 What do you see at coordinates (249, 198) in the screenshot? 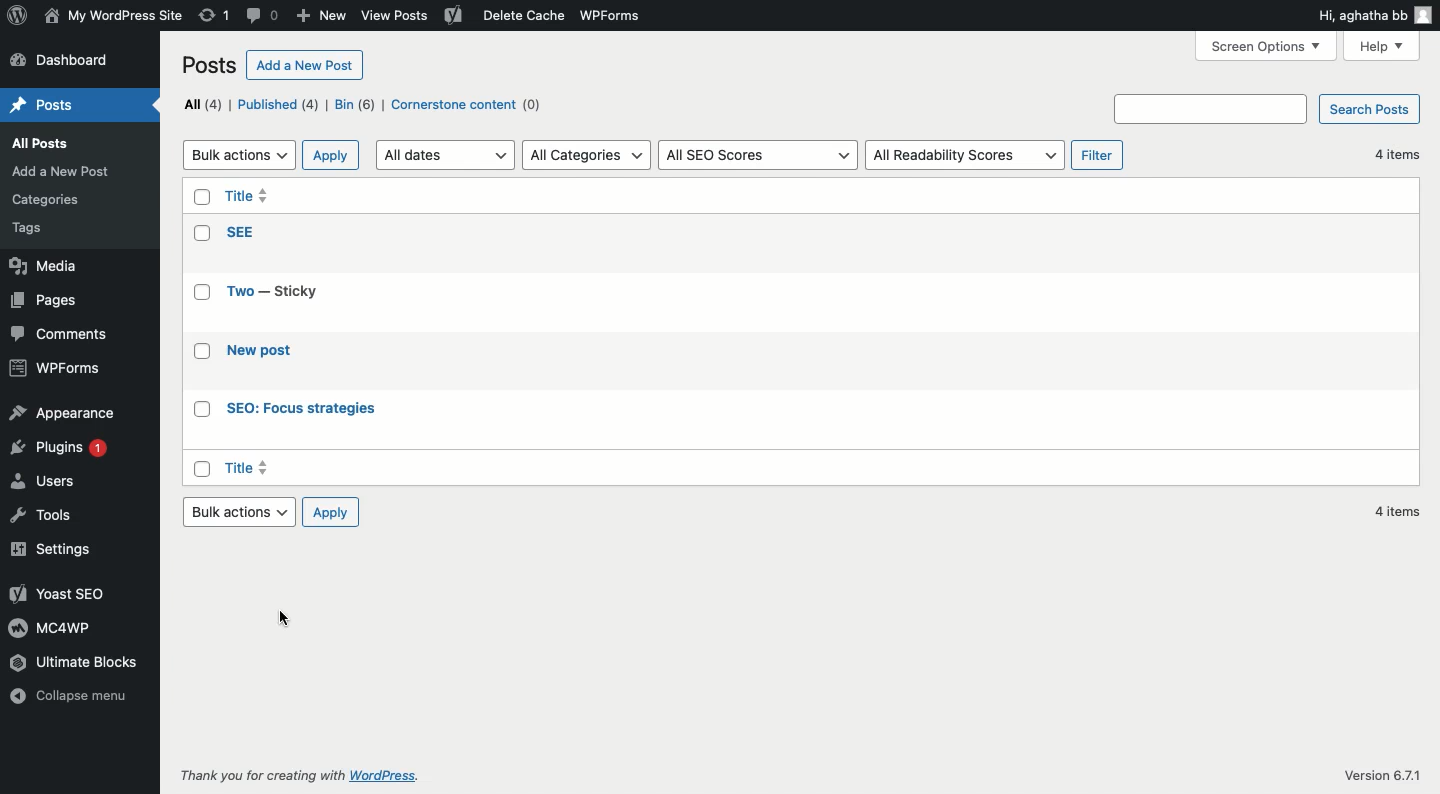
I see `Title` at bounding box center [249, 198].